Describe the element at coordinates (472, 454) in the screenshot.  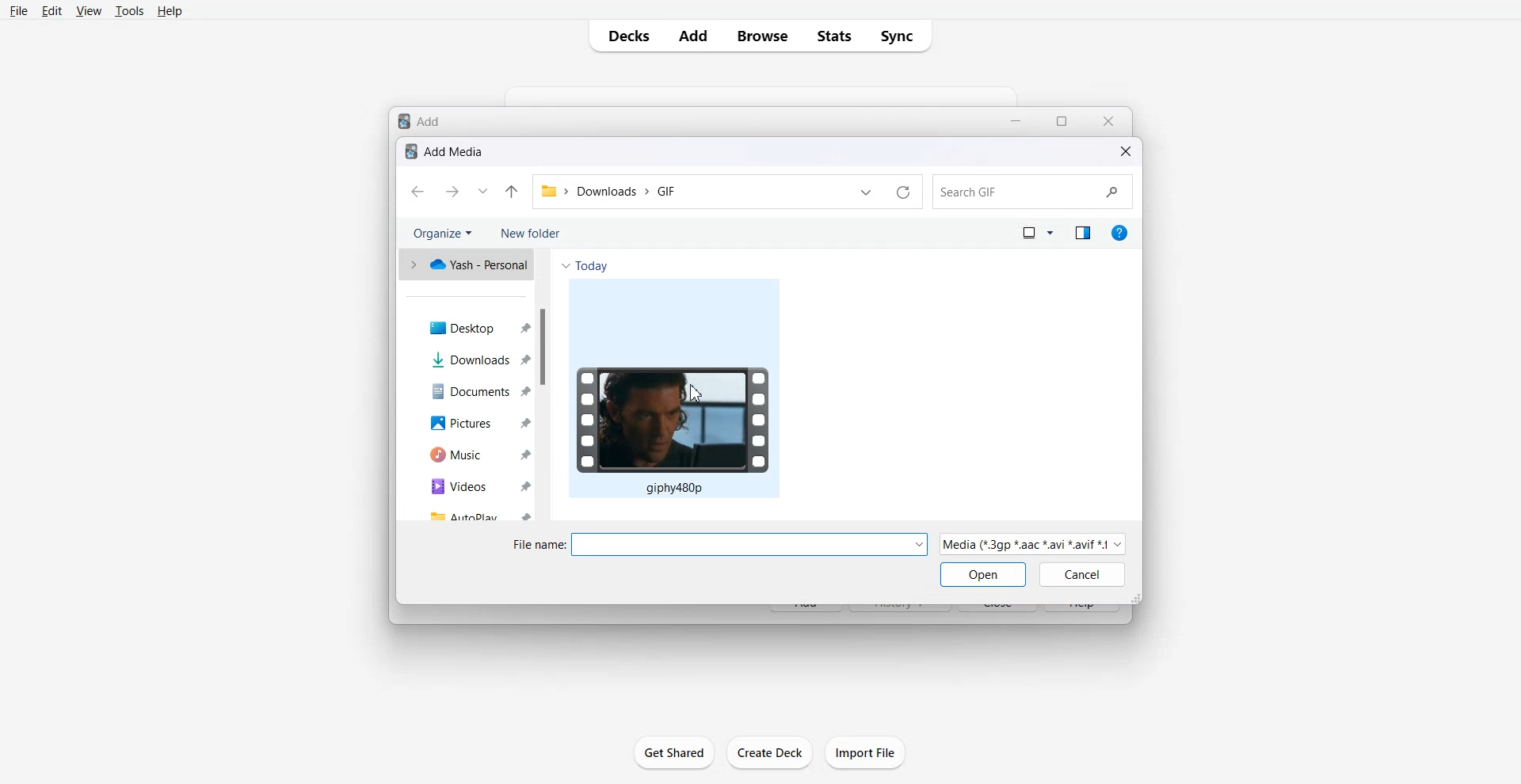
I see `Music` at that location.